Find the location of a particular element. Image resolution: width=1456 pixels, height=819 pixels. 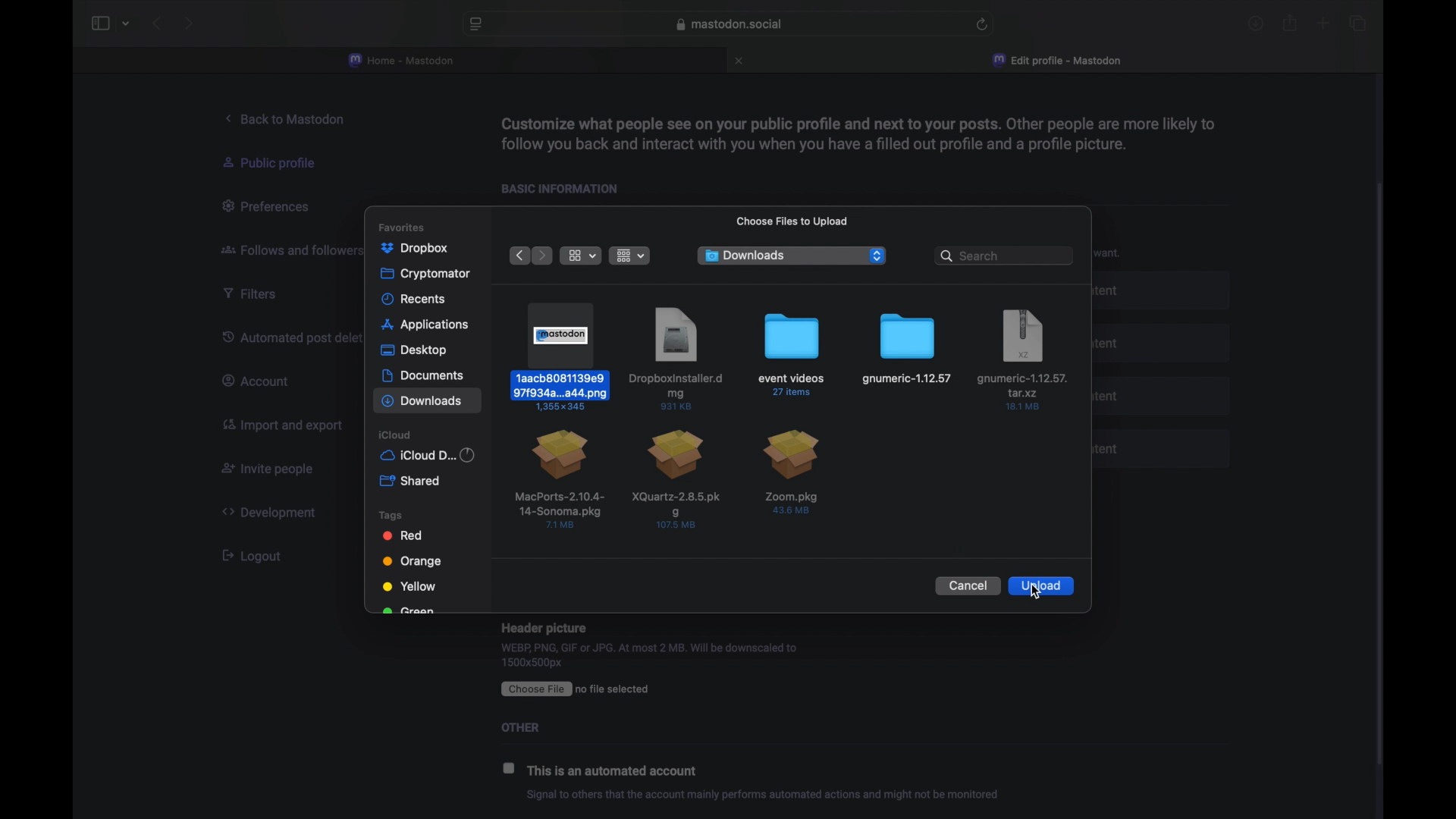

documents is located at coordinates (422, 375).